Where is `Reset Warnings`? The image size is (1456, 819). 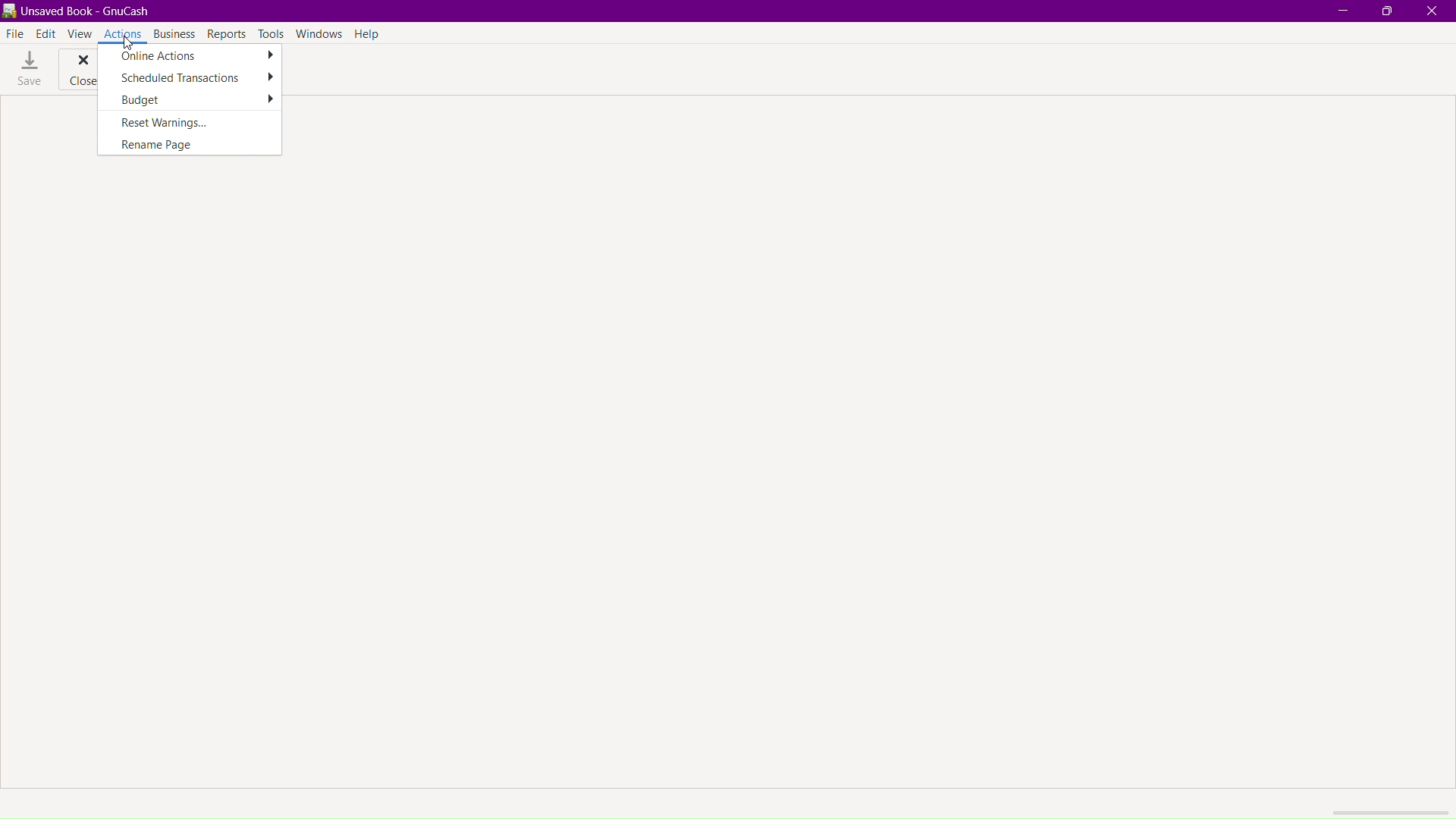
Reset Warnings is located at coordinates (195, 124).